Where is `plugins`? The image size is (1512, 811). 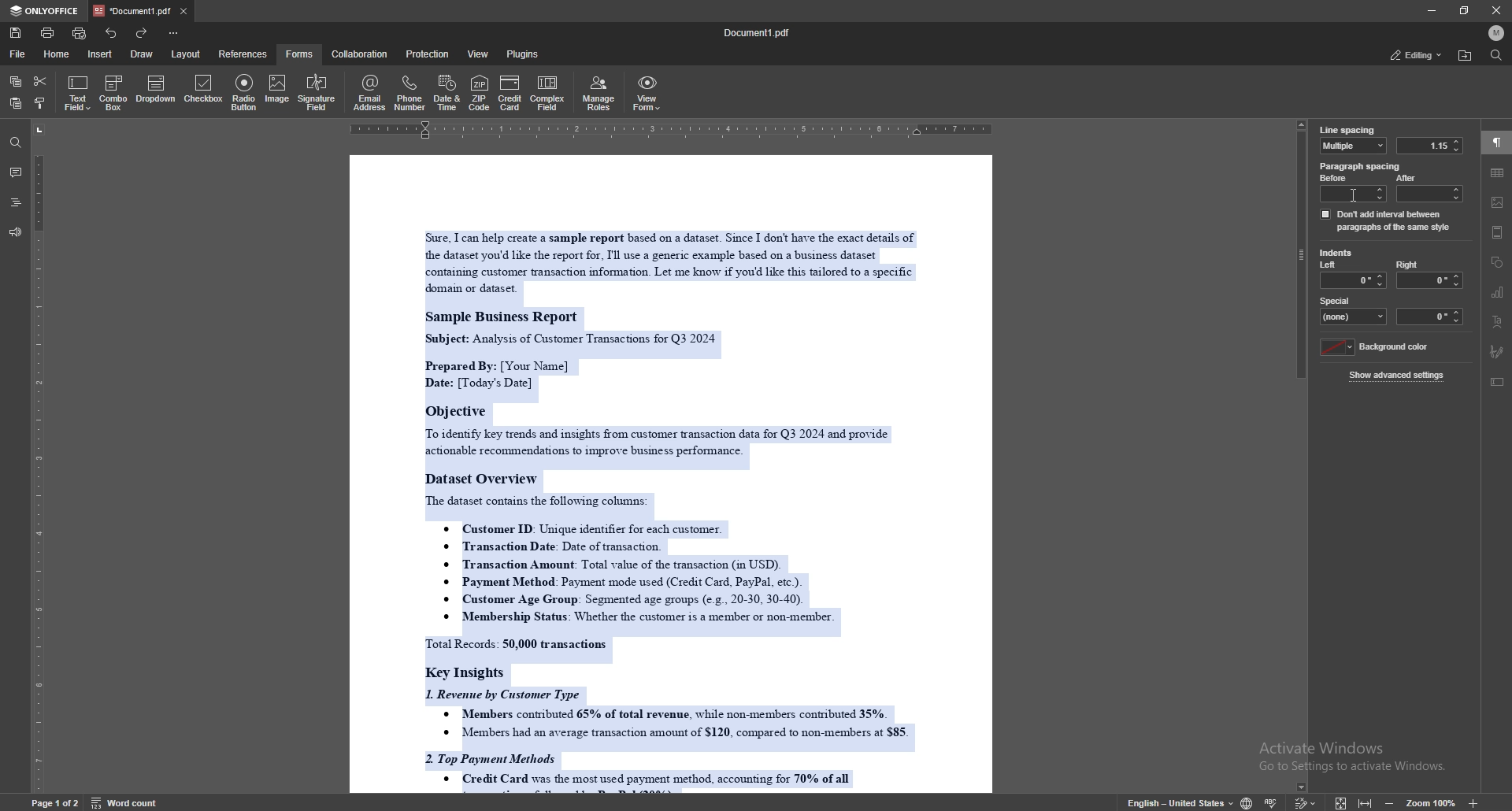
plugins is located at coordinates (524, 54).